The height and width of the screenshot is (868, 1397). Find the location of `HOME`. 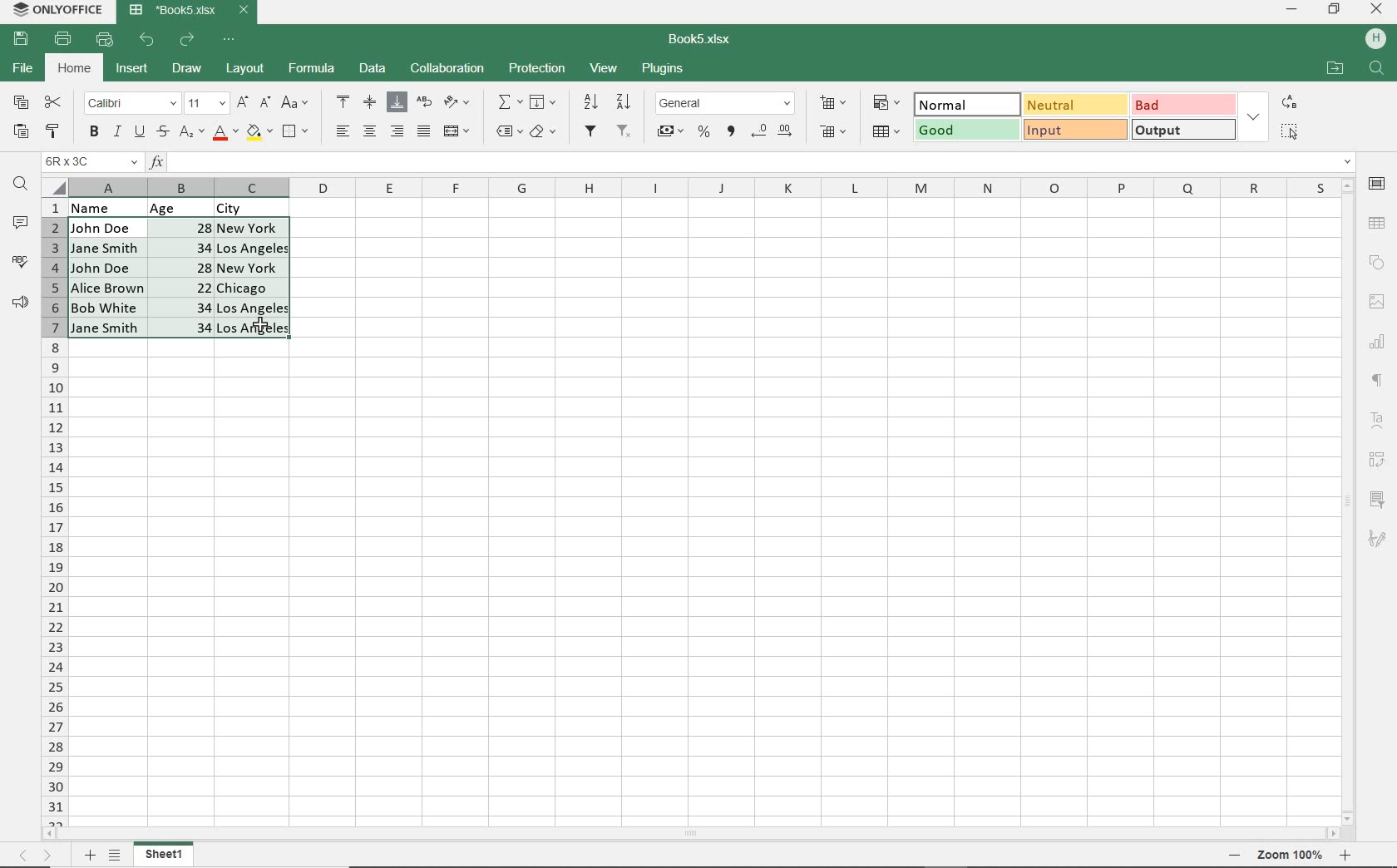

HOME is located at coordinates (76, 70).